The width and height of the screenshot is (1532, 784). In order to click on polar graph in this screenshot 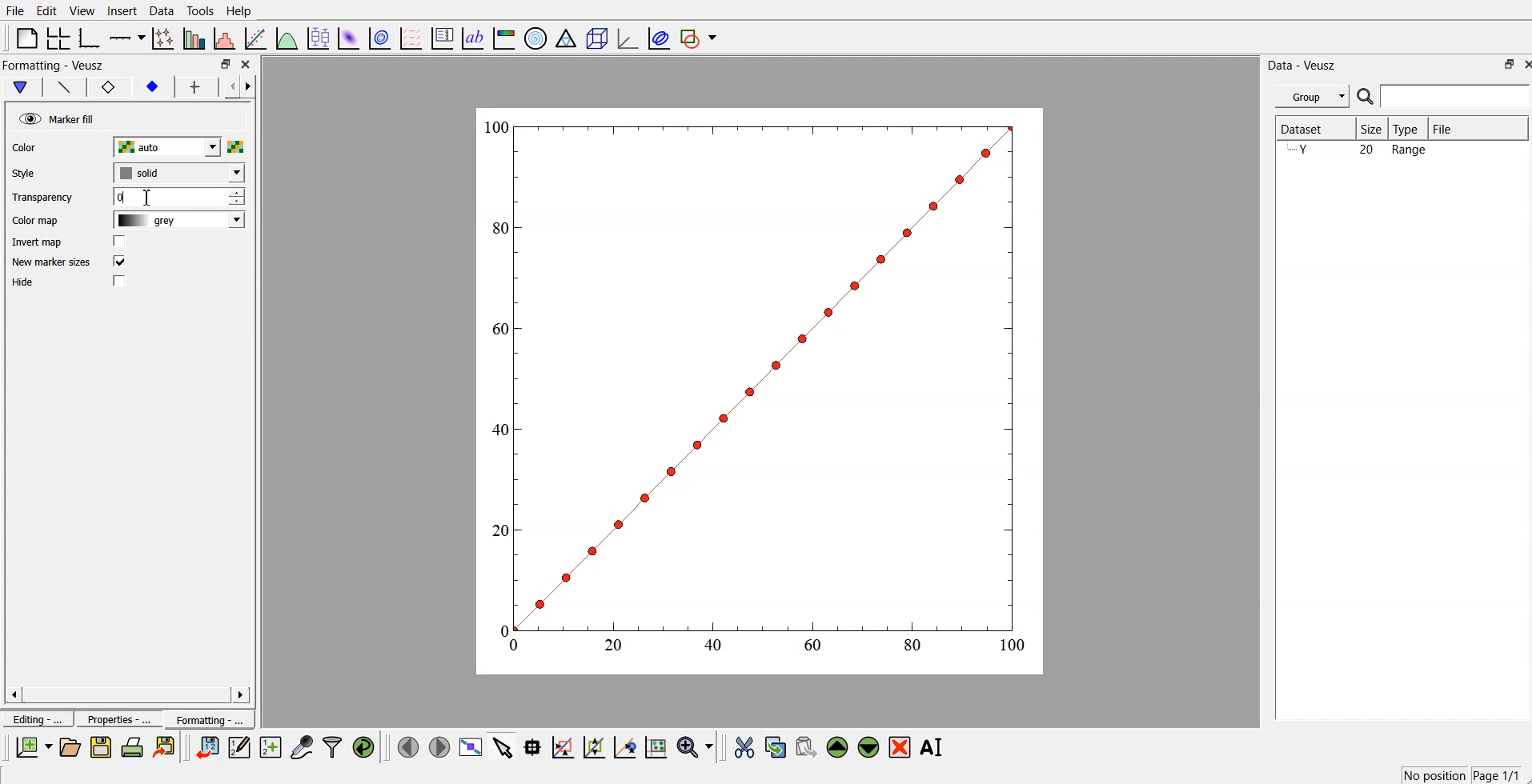, I will do `click(537, 37)`.